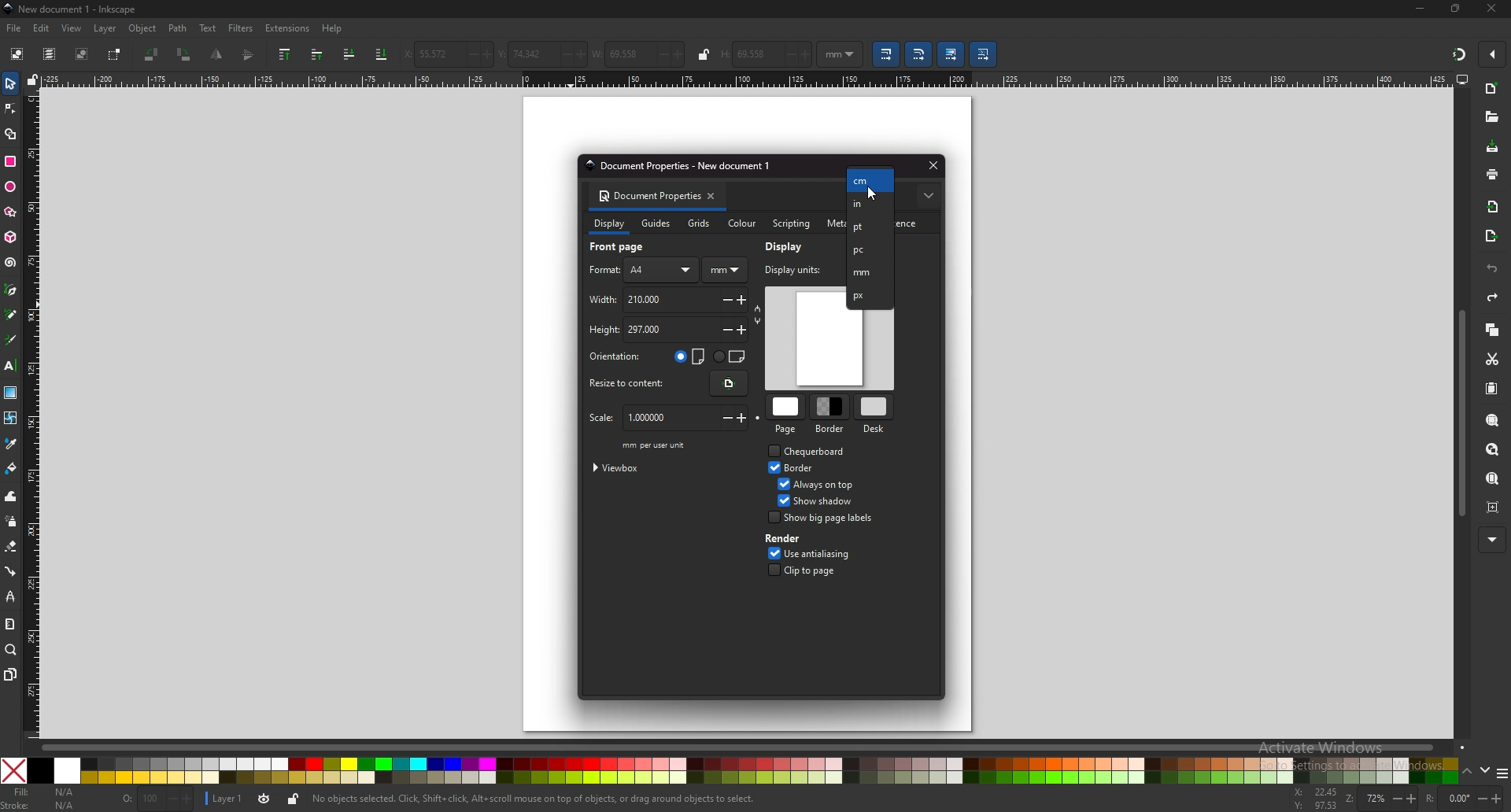 Image resolution: width=1511 pixels, height=812 pixels. I want to click on chequeboard, so click(819, 451).